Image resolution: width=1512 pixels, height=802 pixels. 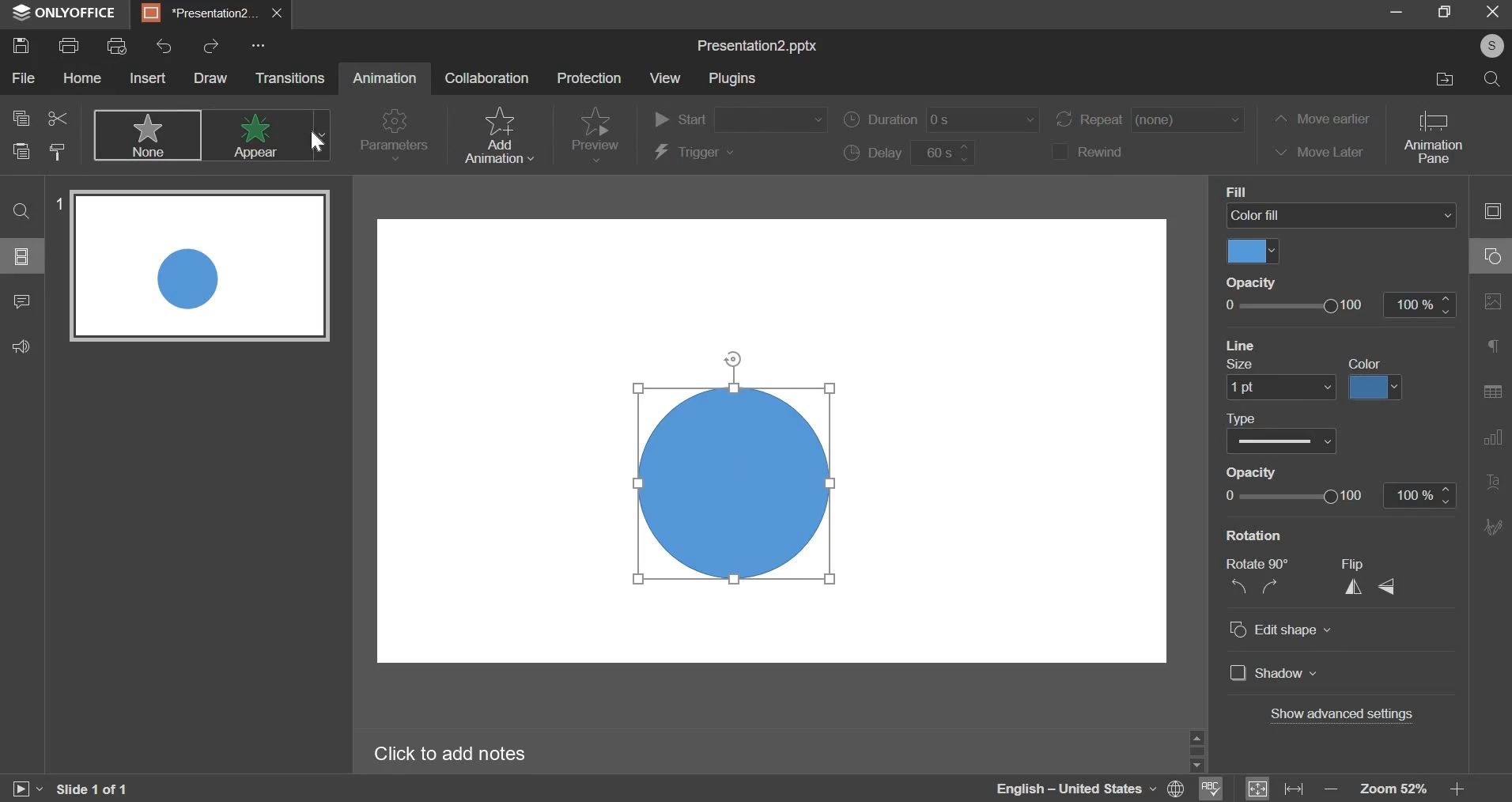 I want to click on print, so click(x=70, y=44).